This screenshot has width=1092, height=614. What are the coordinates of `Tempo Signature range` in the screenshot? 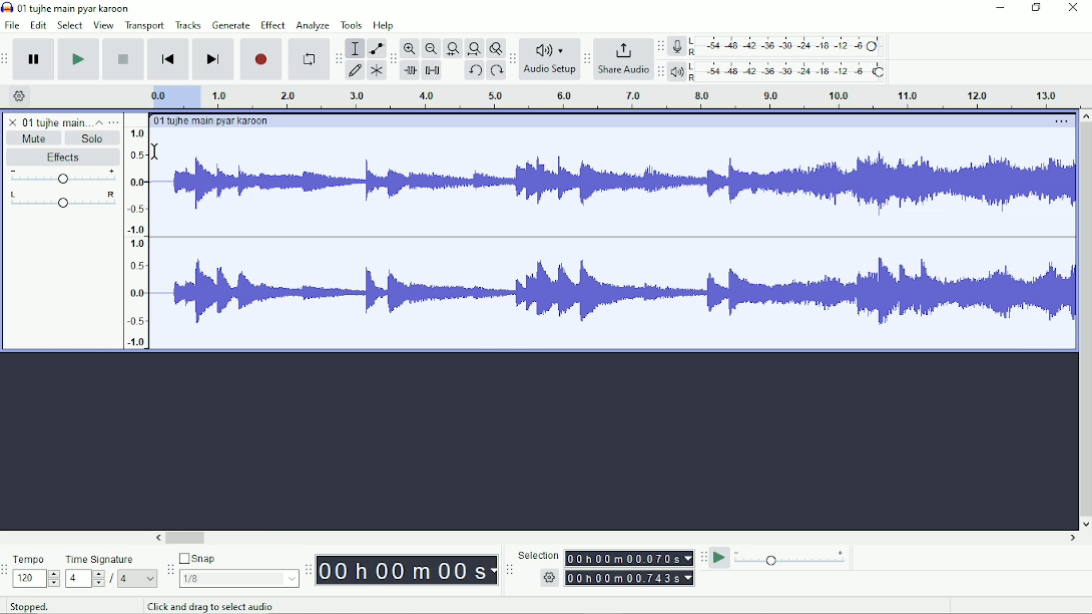 It's located at (84, 578).